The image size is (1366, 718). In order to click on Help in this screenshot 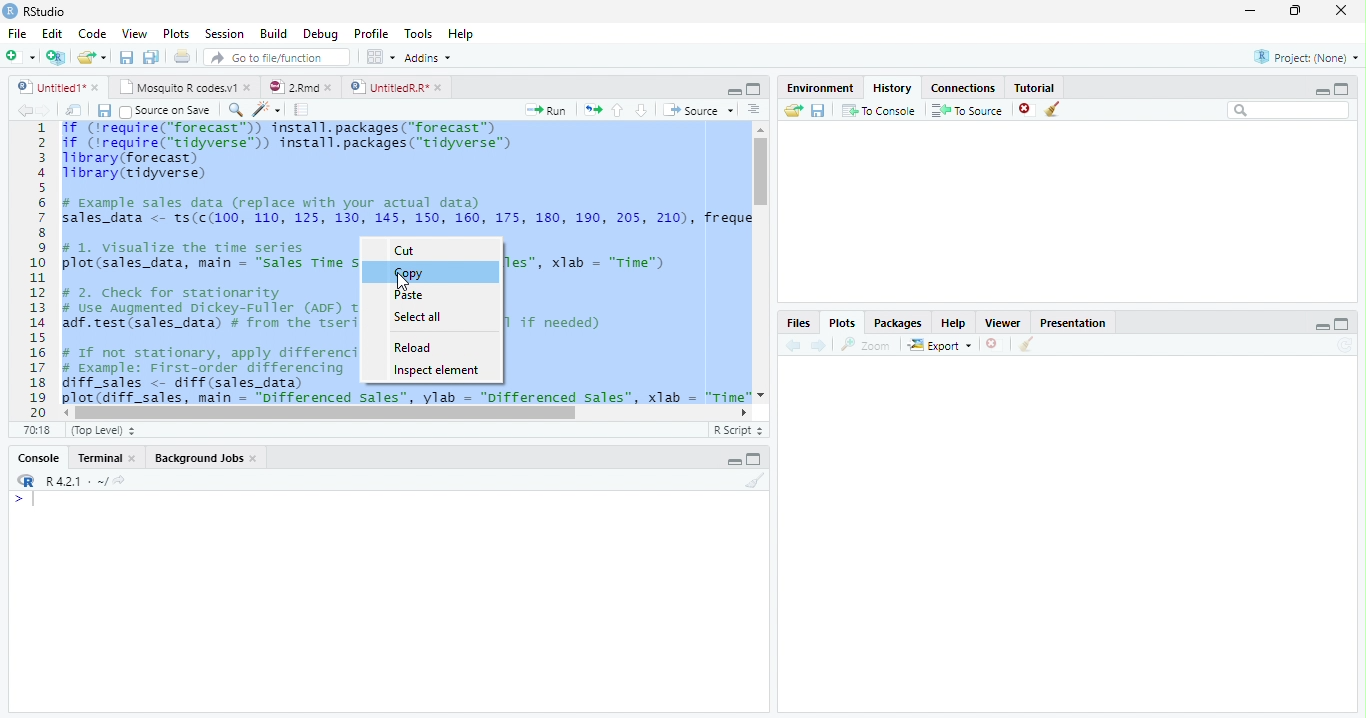, I will do `click(460, 33)`.